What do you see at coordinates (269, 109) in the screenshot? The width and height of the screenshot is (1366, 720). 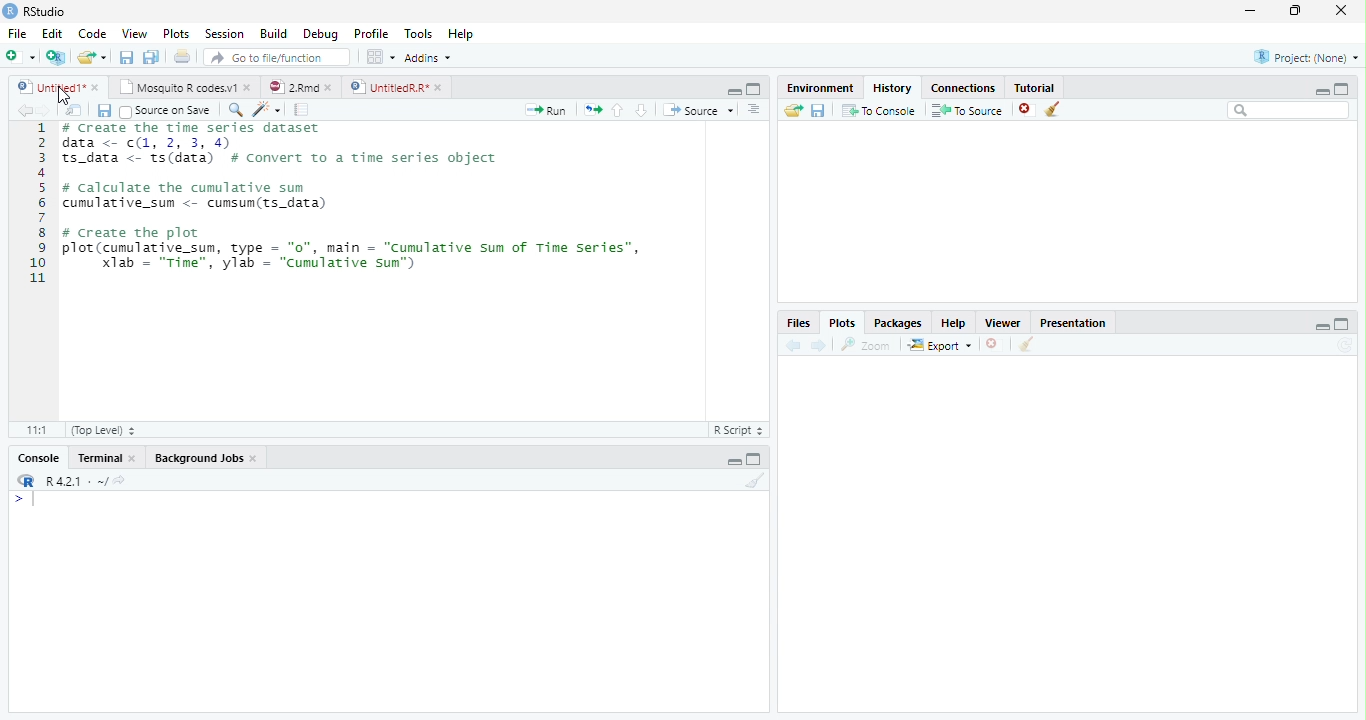 I see `Code Refactor` at bounding box center [269, 109].